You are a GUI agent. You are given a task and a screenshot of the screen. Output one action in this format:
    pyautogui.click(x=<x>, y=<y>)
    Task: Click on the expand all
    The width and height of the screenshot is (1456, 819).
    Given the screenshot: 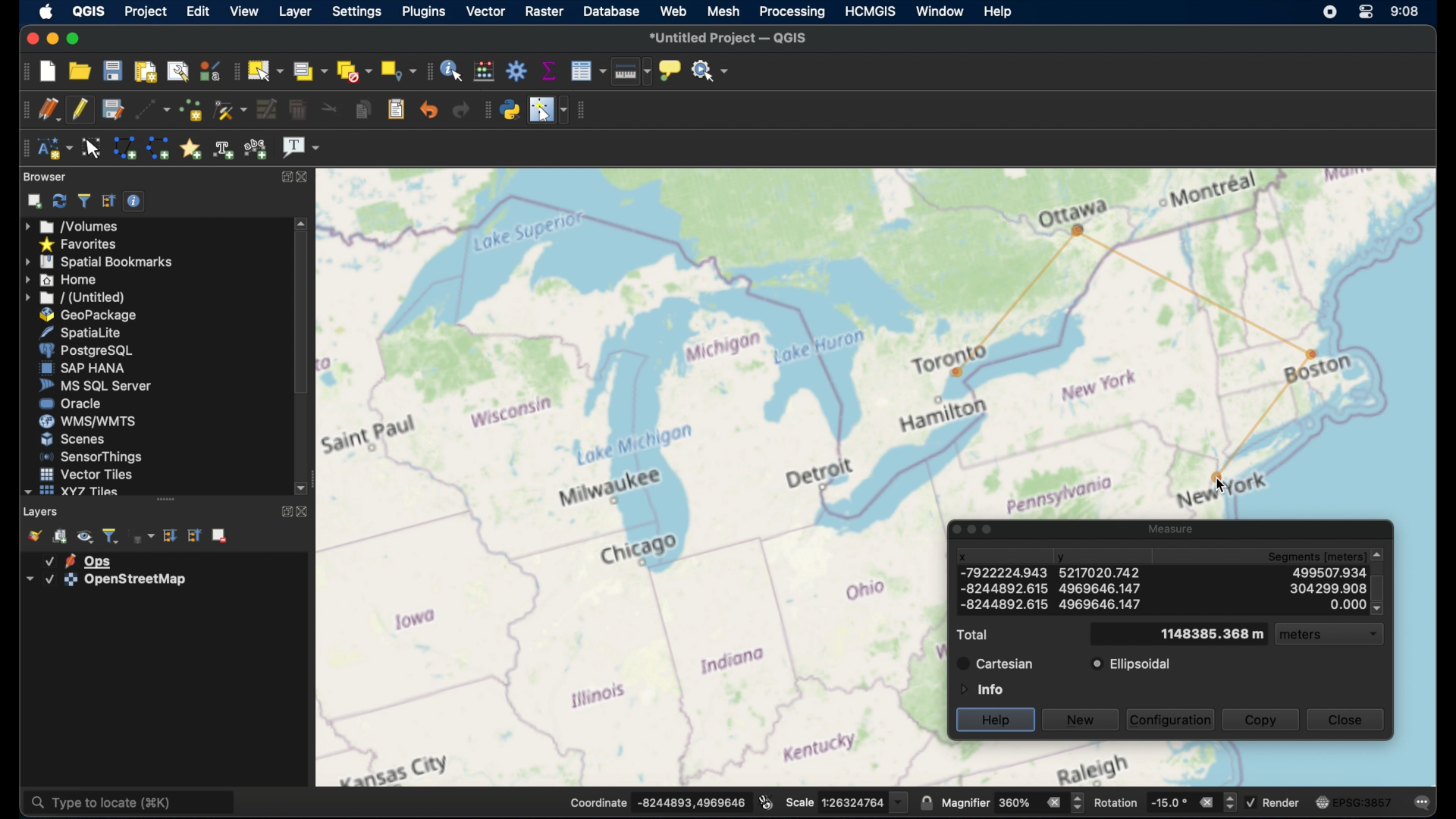 What is the action you would take?
    pyautogui.click(x=171, y=535)
    